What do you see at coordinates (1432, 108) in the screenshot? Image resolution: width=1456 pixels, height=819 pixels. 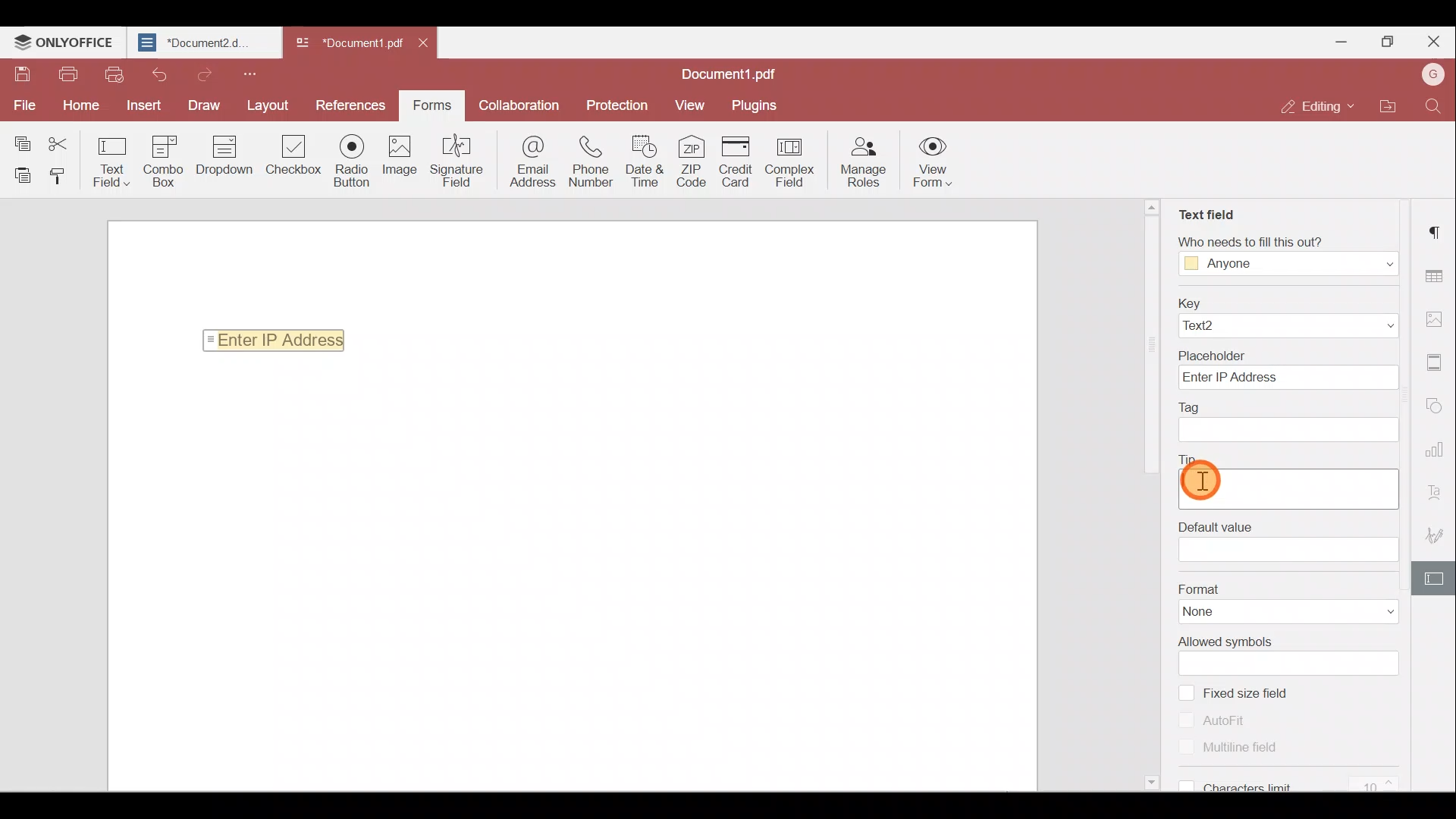 I see `Find` at bounding box center [1432, 108].